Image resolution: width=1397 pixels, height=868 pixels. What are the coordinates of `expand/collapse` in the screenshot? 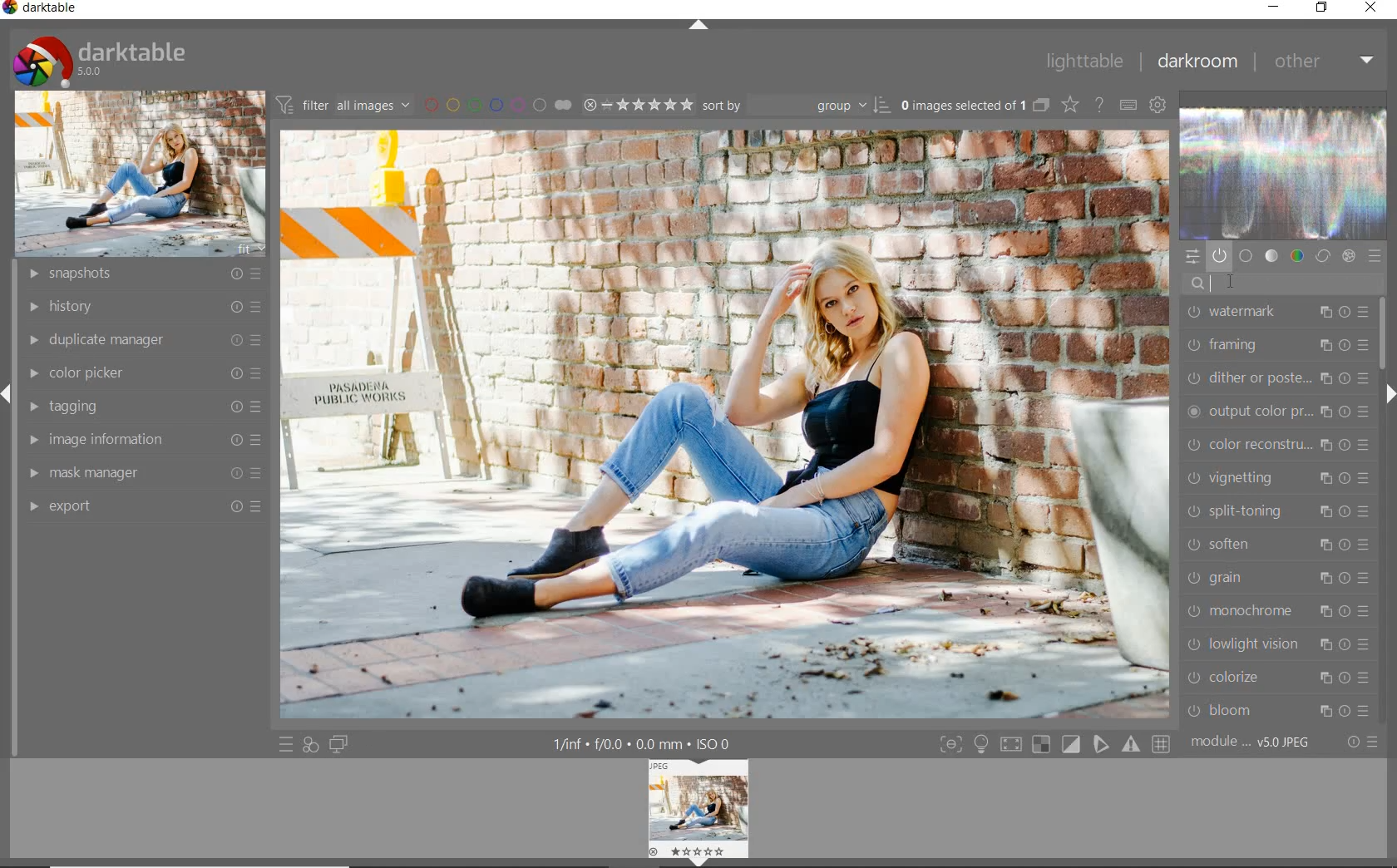 It's located at (1390, 396).